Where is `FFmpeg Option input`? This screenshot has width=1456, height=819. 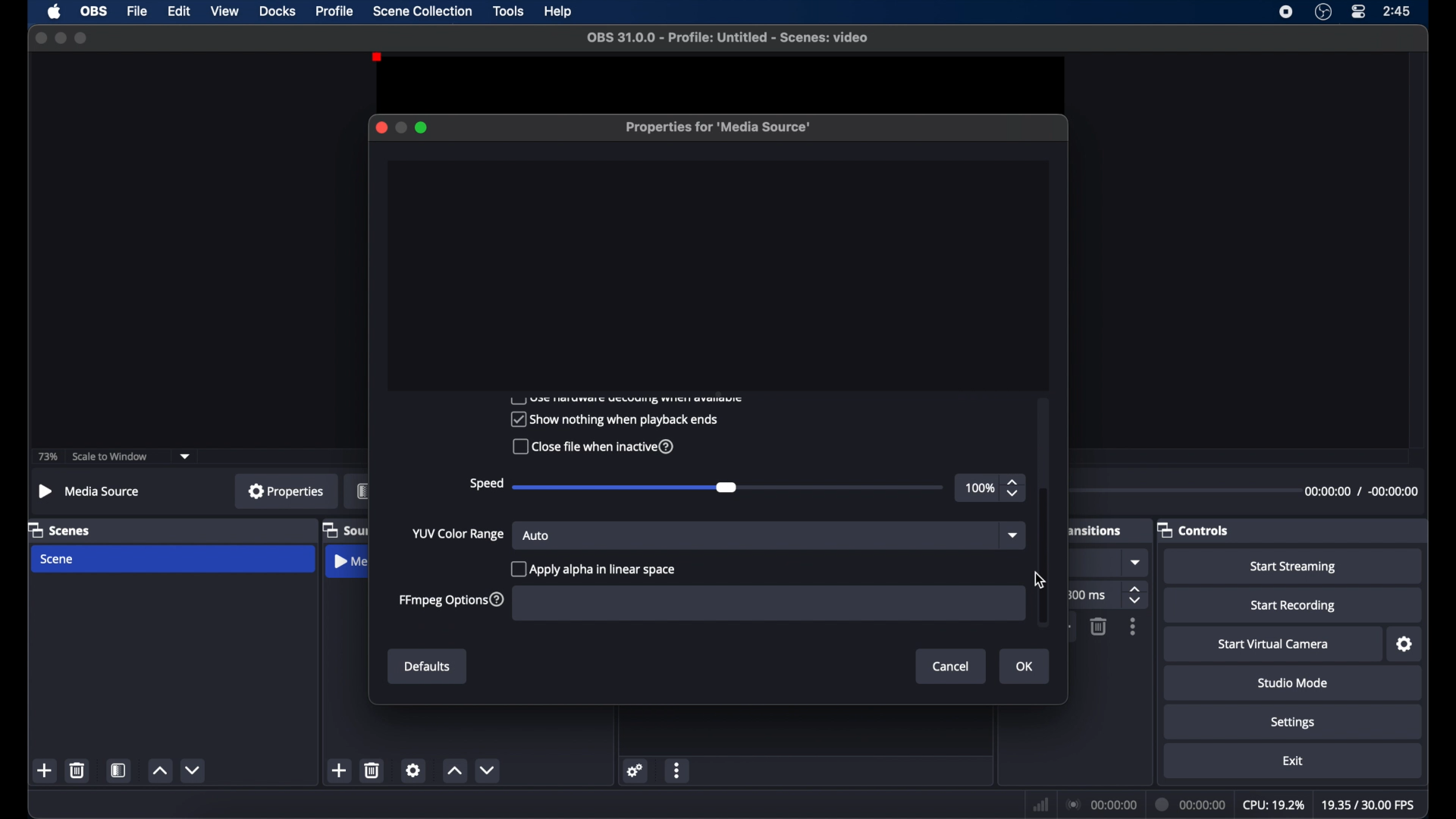
FFmpeg Option input is located at coordinates (764, 603).